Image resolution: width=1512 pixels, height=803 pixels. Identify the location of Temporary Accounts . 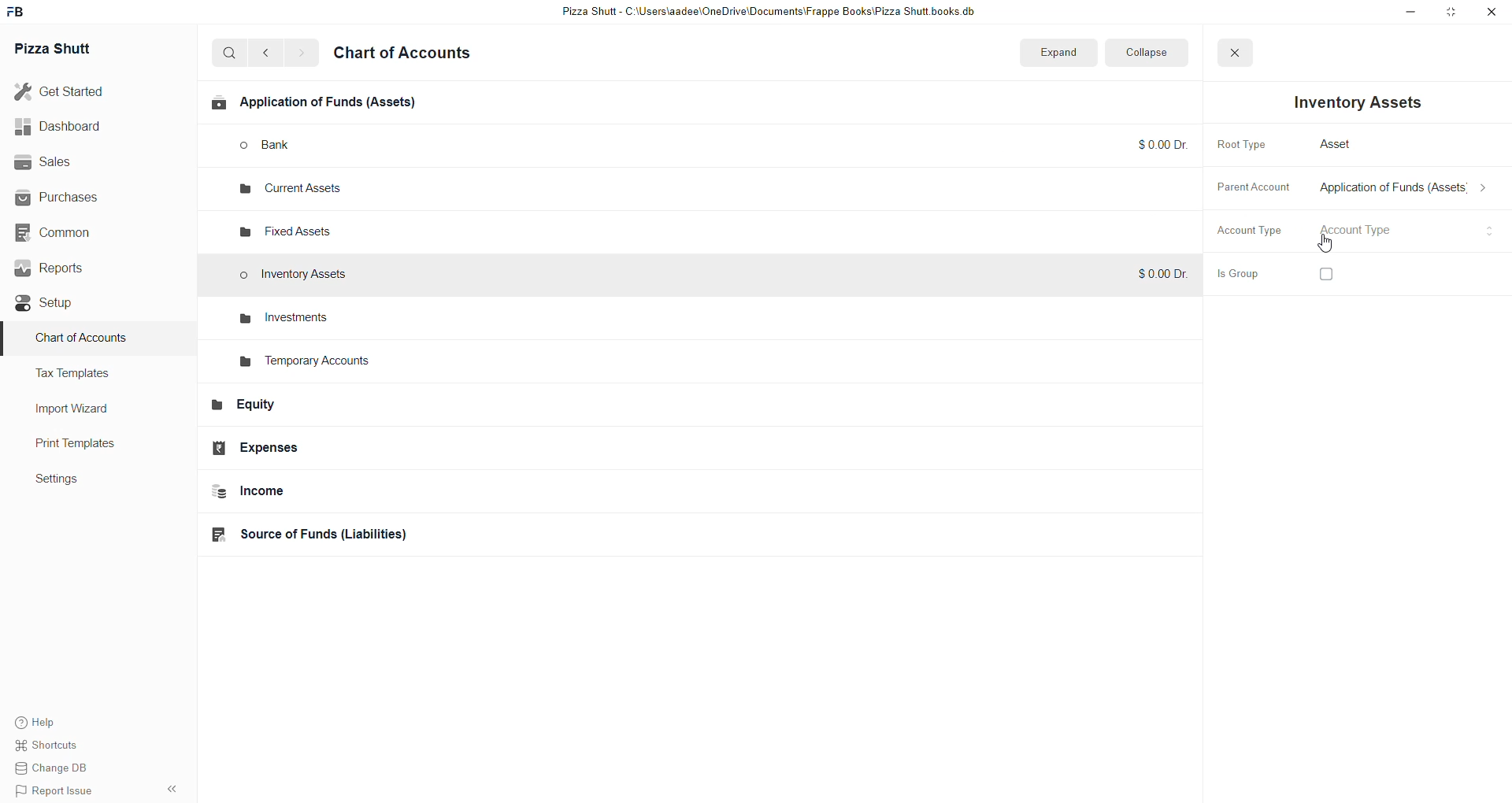
(309, 364).